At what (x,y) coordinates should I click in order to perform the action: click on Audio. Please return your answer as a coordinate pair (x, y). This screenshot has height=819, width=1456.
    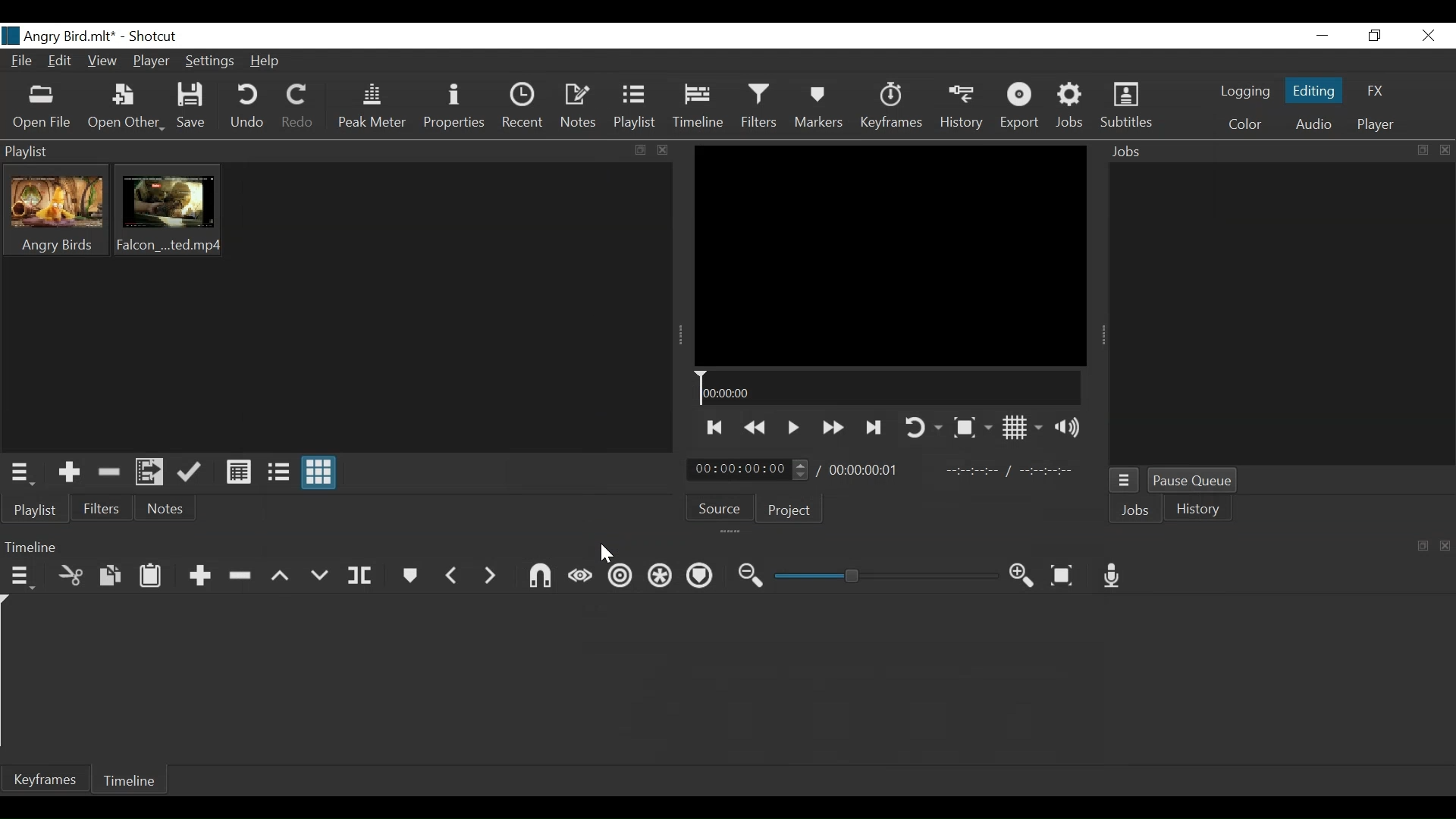
    Looking at the image, I should click on (1312, 125).